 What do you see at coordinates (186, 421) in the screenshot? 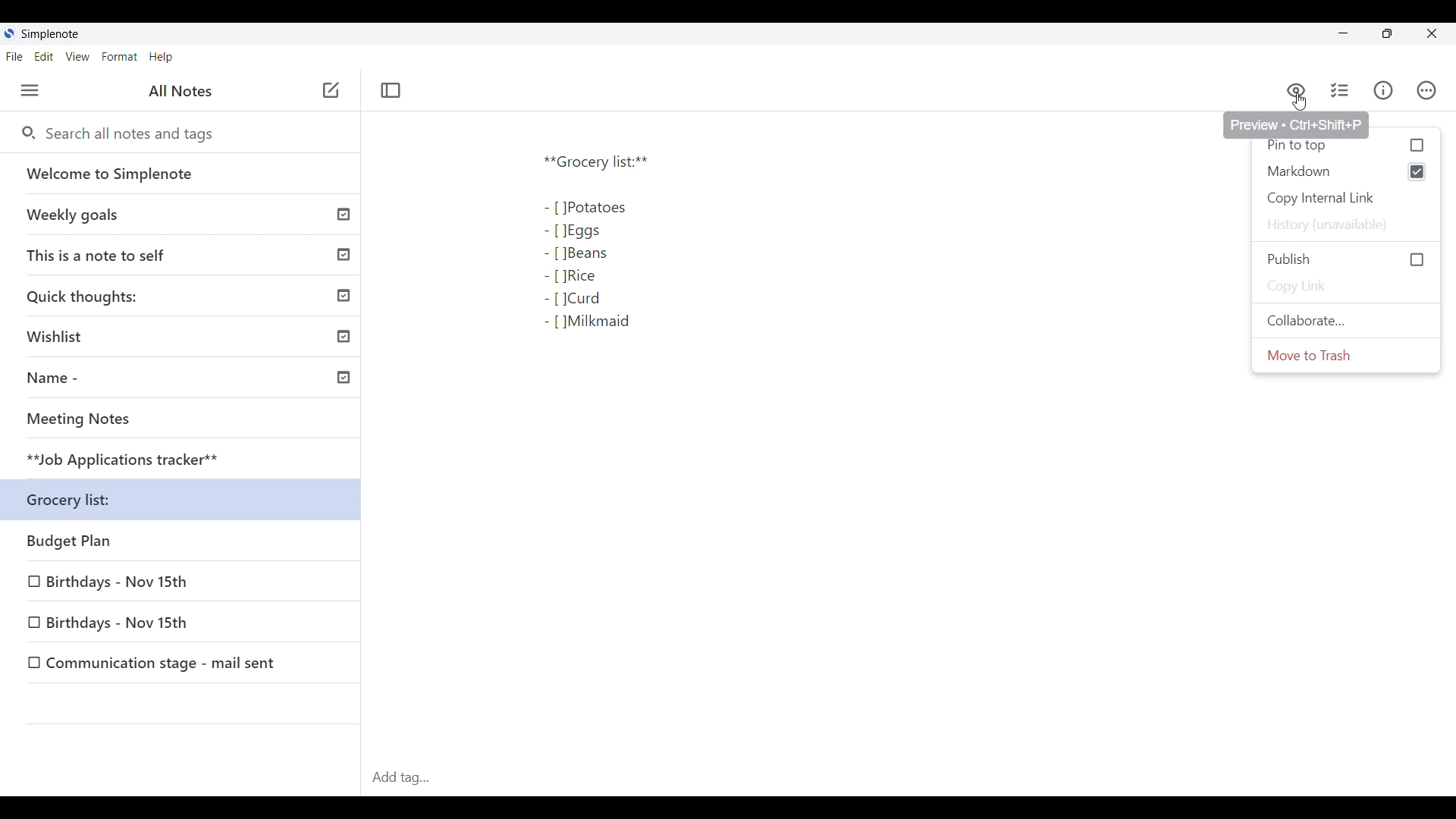
I see `Meeting Notes` at bounding box center [186, 421].